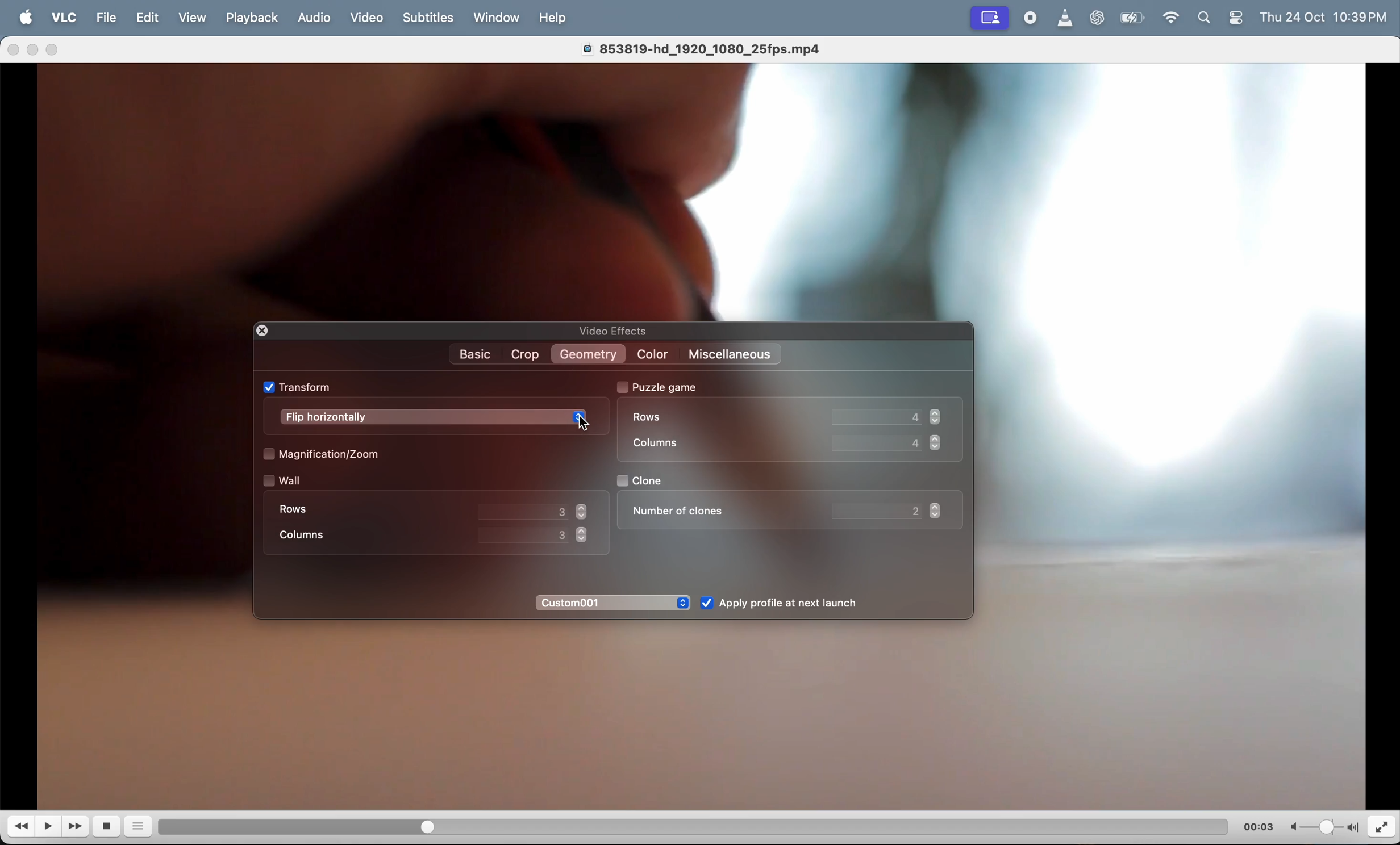  Describe the element at coordinates (1065, 19) in the screenshot. I see `vlc icon` at that location.